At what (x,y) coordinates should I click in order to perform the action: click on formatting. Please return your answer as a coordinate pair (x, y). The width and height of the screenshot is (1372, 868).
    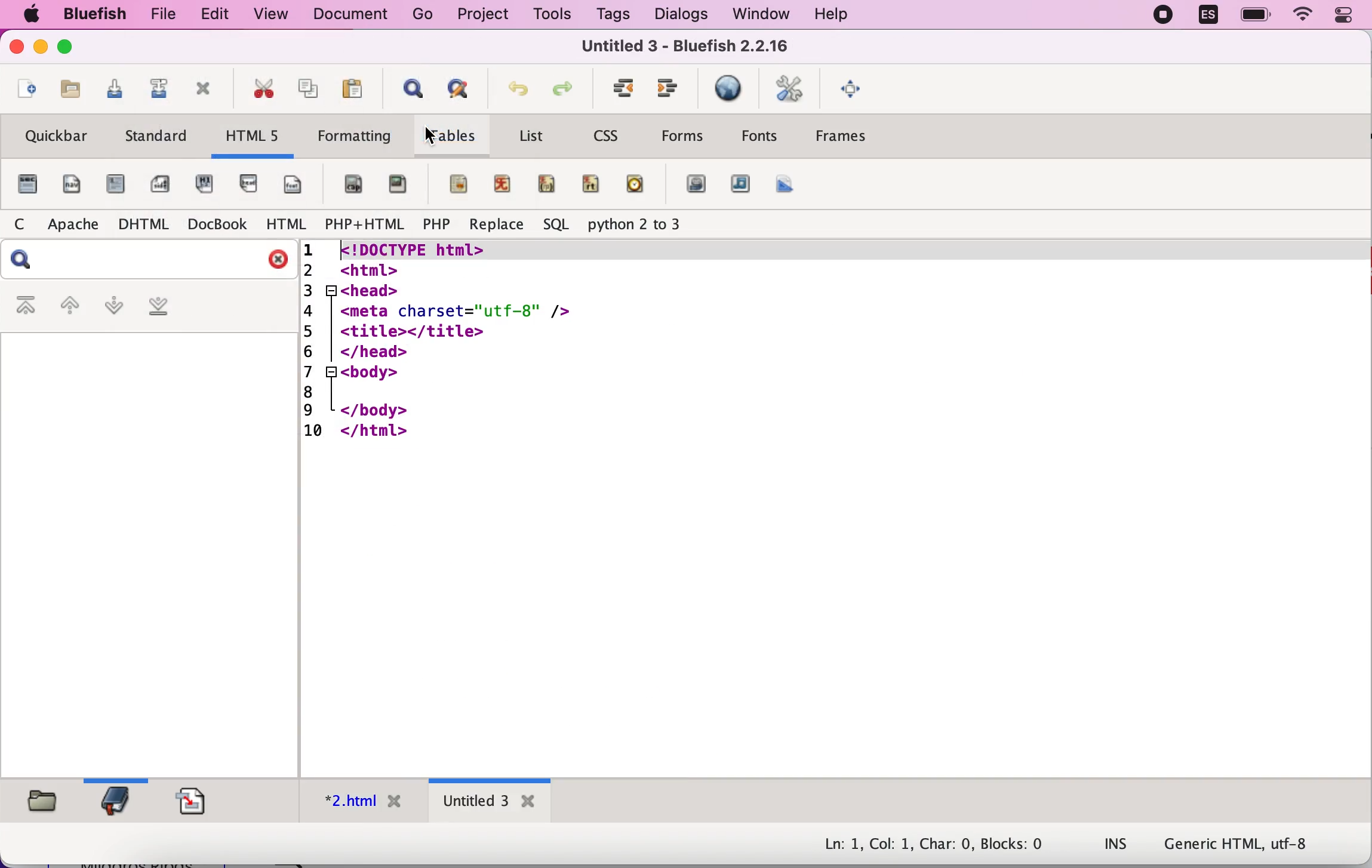
    Looking at the image, I should click on (355, 139).